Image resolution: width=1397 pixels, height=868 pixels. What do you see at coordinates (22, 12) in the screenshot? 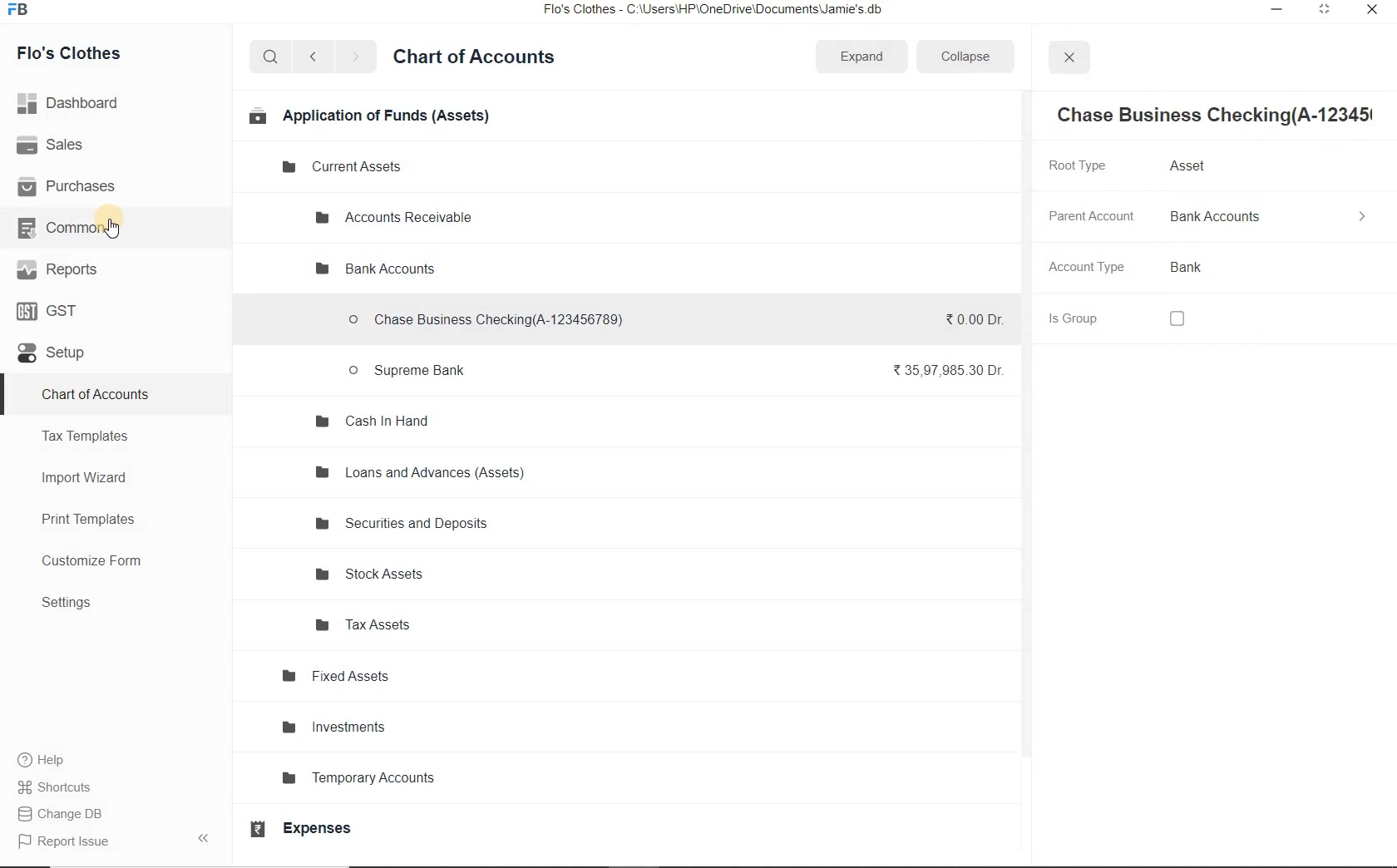
I see `Frappe Books logo` at bounding box center [22, 12].